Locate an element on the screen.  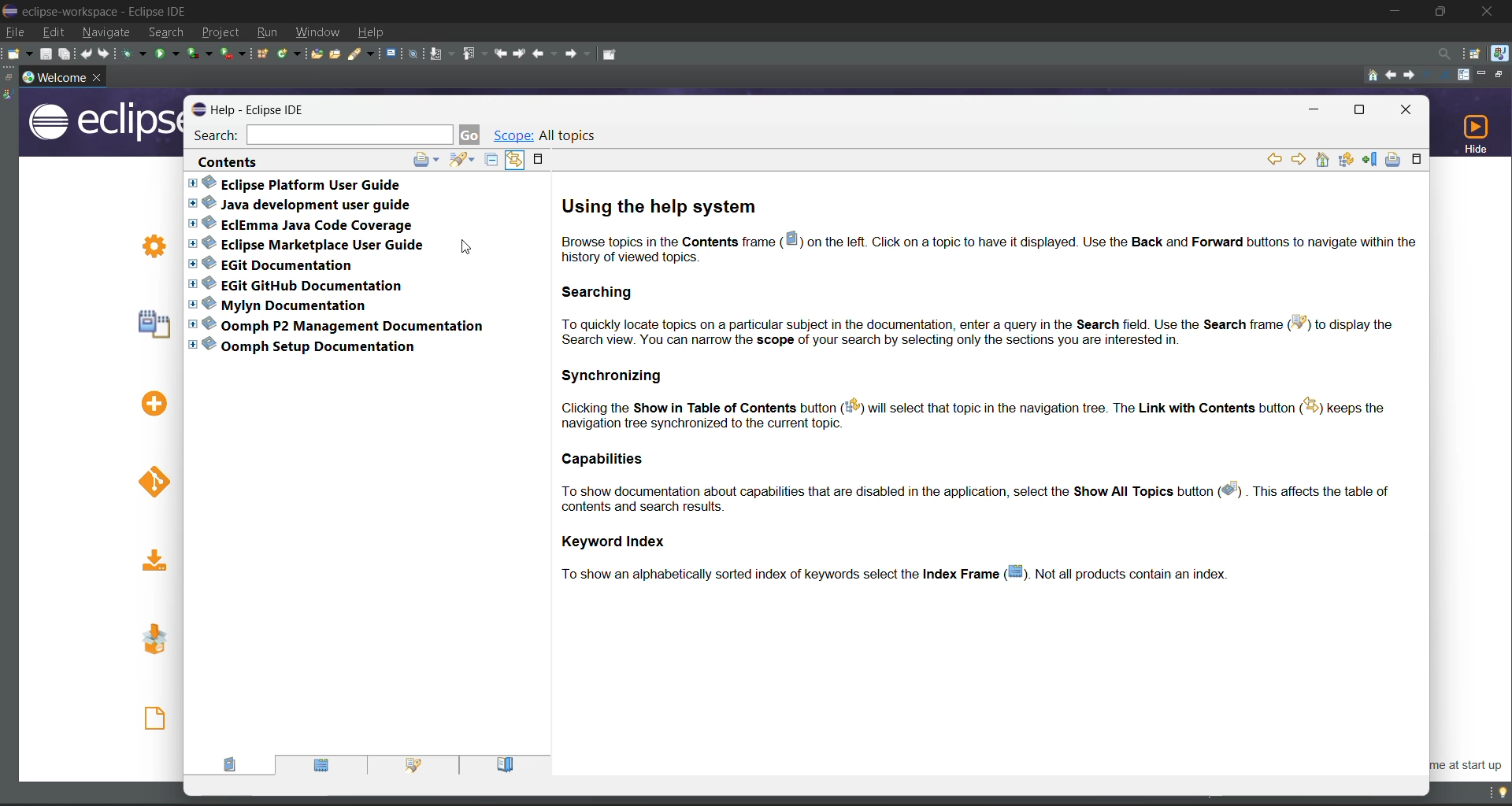
using the help system is located at coordinates (988, 231).